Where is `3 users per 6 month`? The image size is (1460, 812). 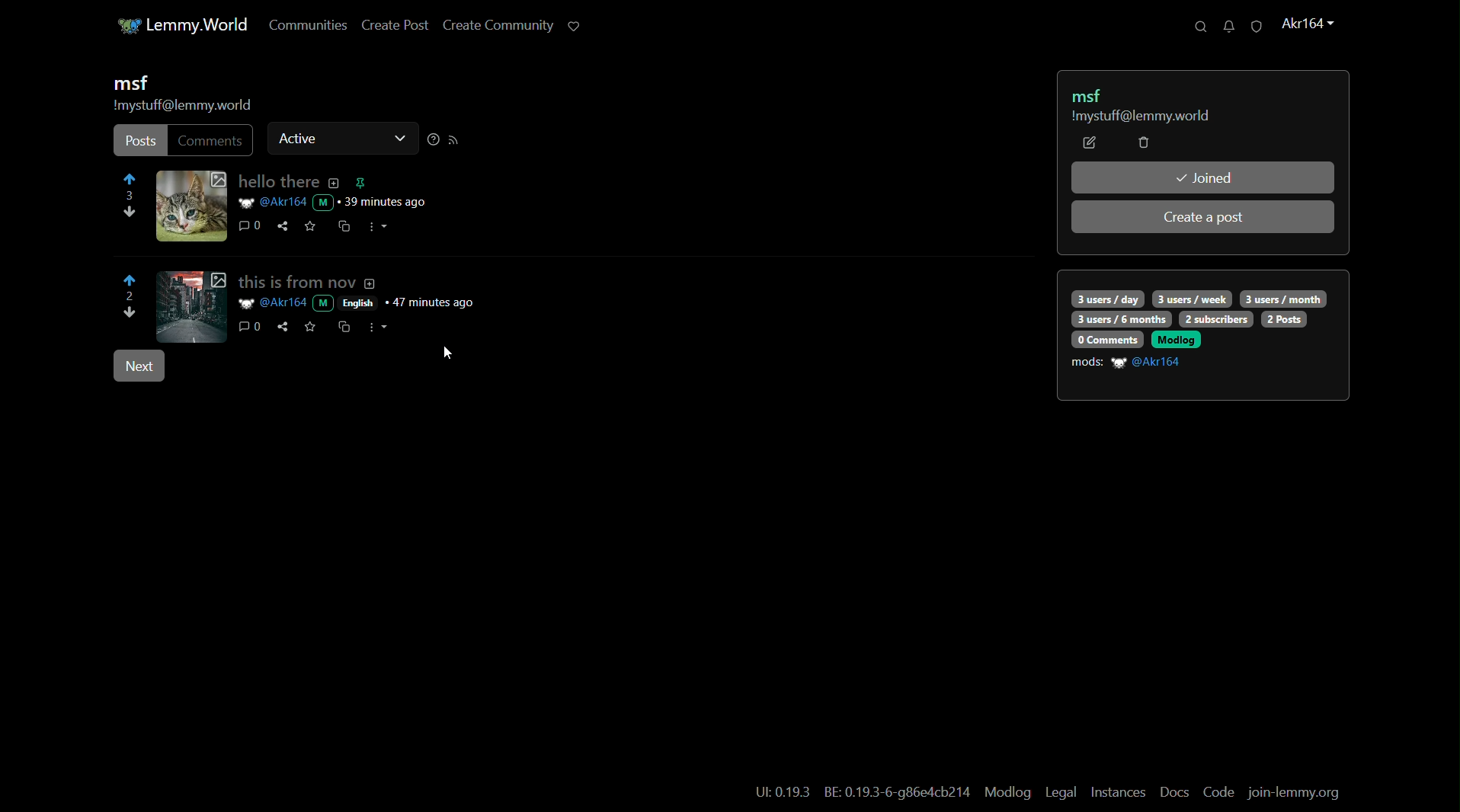
3 users per 6 month is located at coordinates (1119, 320).